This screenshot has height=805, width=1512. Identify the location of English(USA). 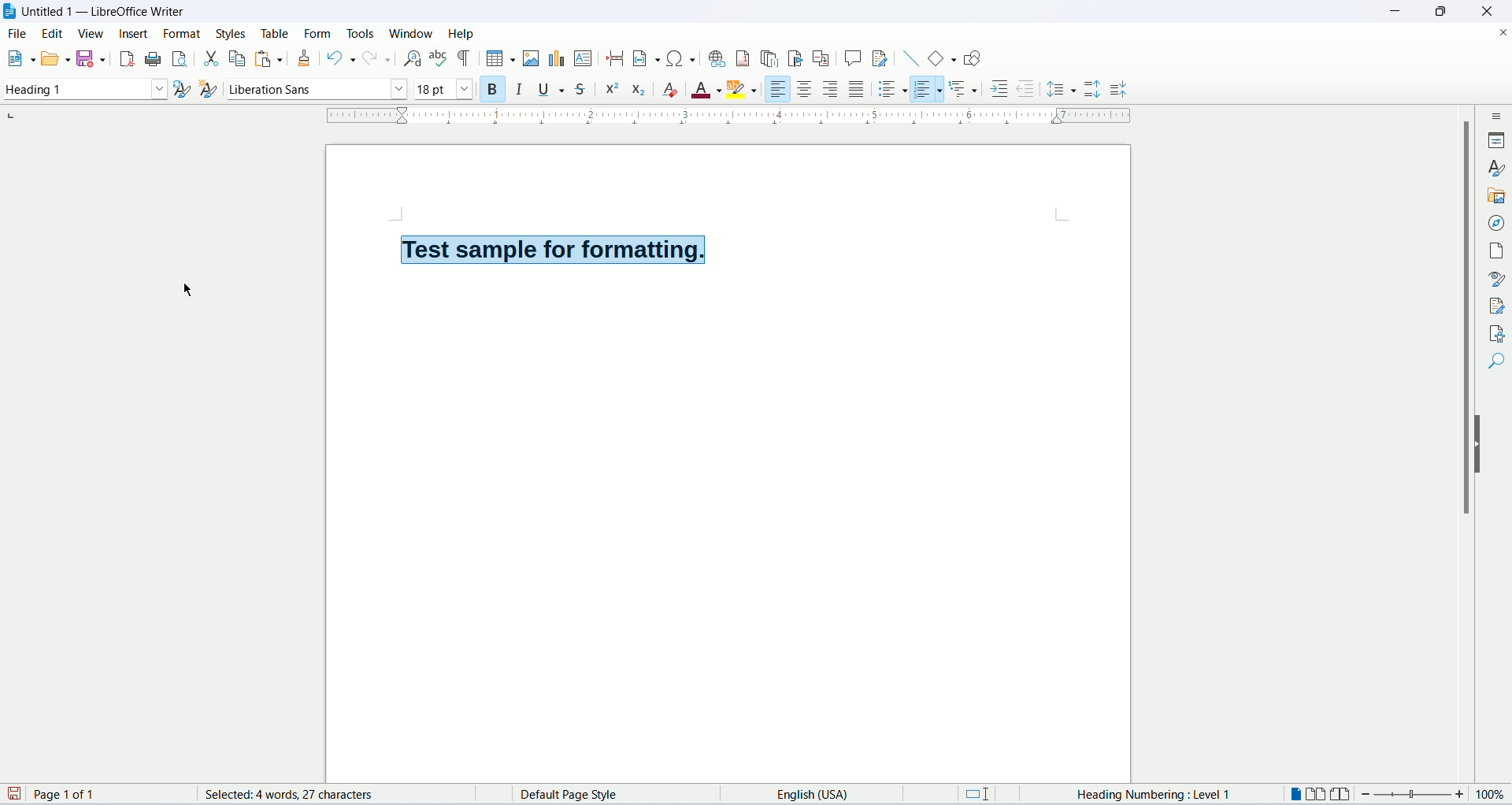
(800, 793).